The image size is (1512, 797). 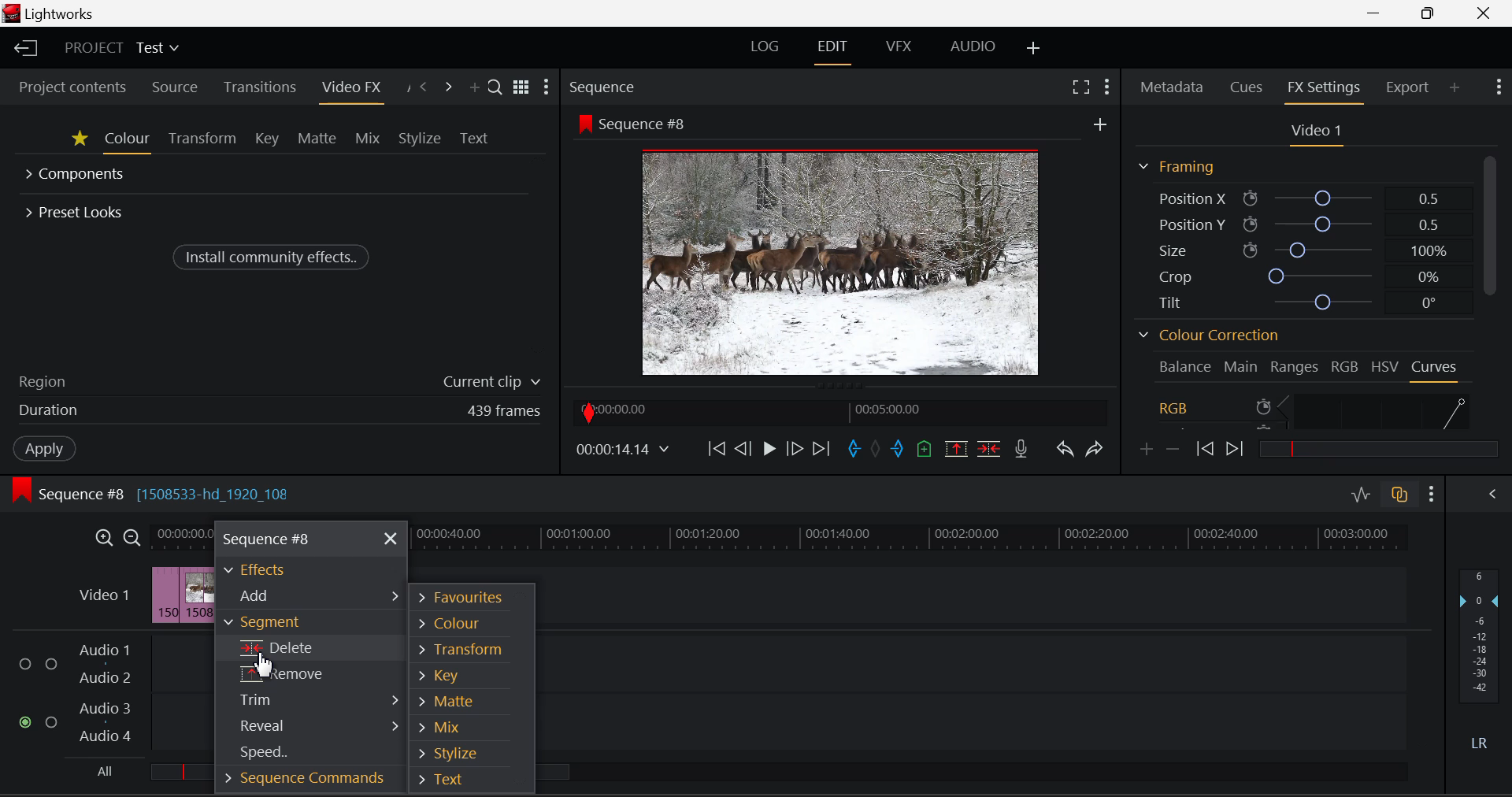 I want to click on Undo, so click(x=1065, y=451).